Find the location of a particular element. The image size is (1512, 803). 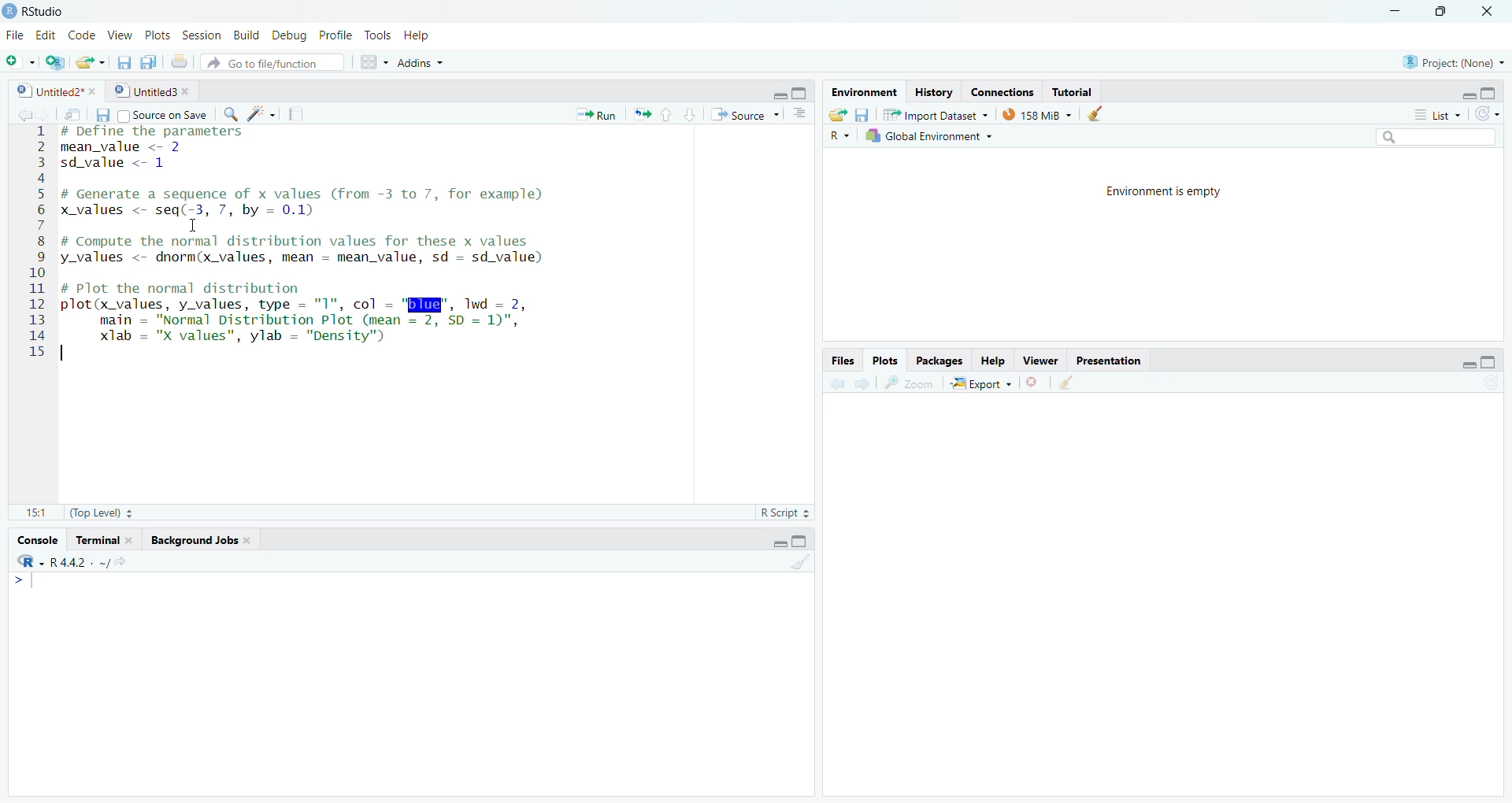

Connections is located at coordinates (999, 91).